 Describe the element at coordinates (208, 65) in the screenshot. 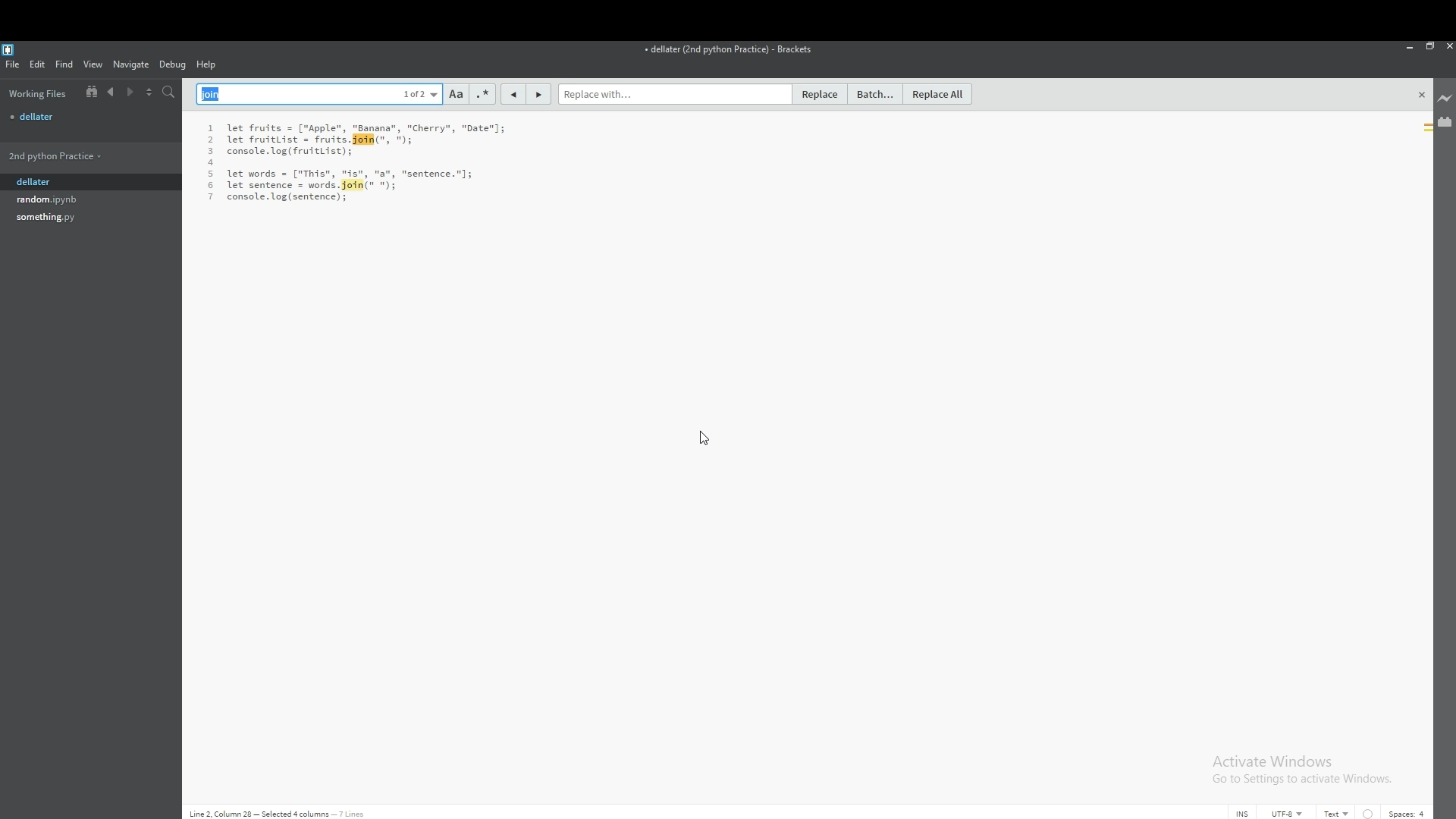

I see `help` at that location.